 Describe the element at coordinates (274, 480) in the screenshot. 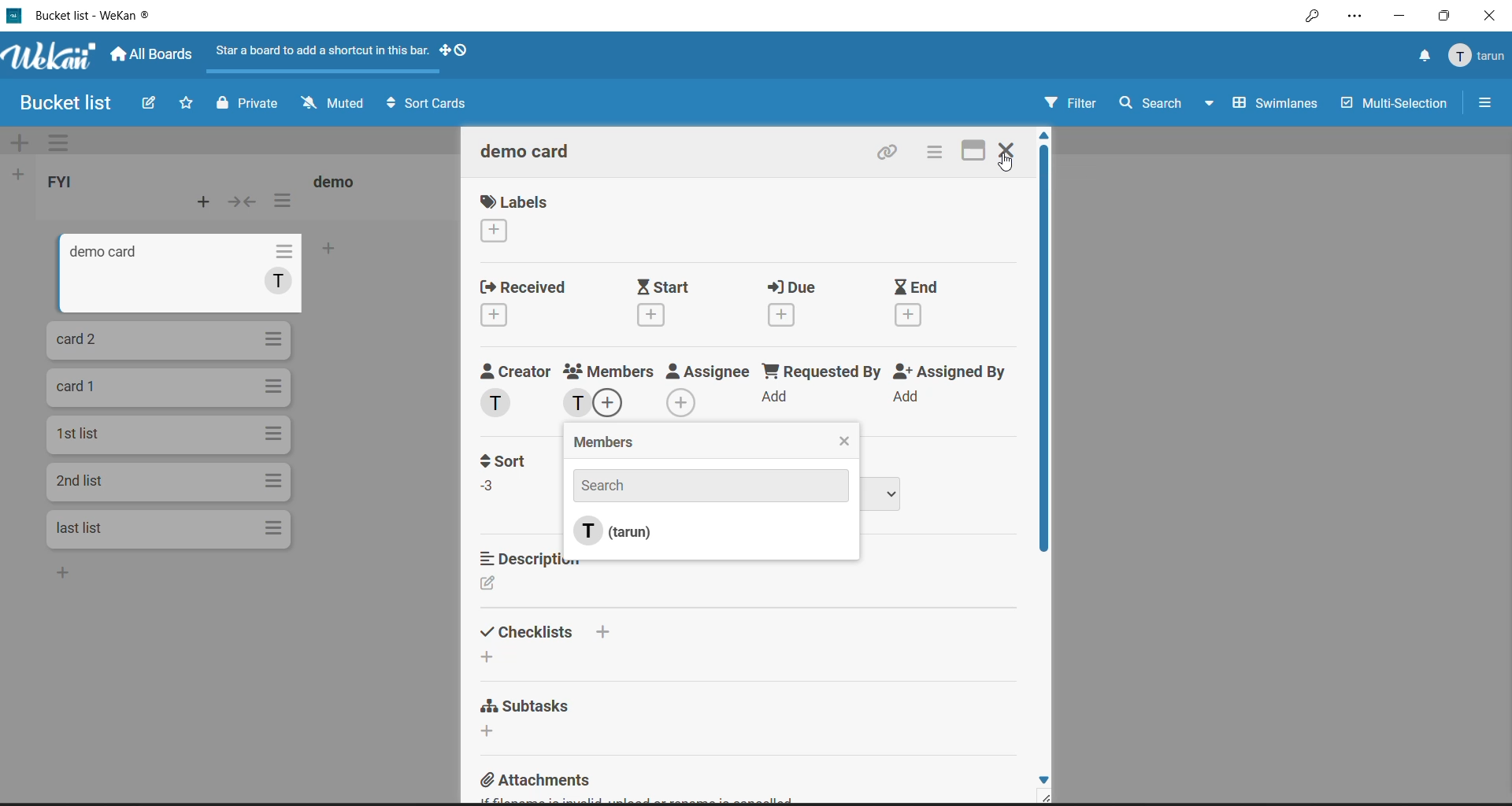

I see `card actions` at that location.